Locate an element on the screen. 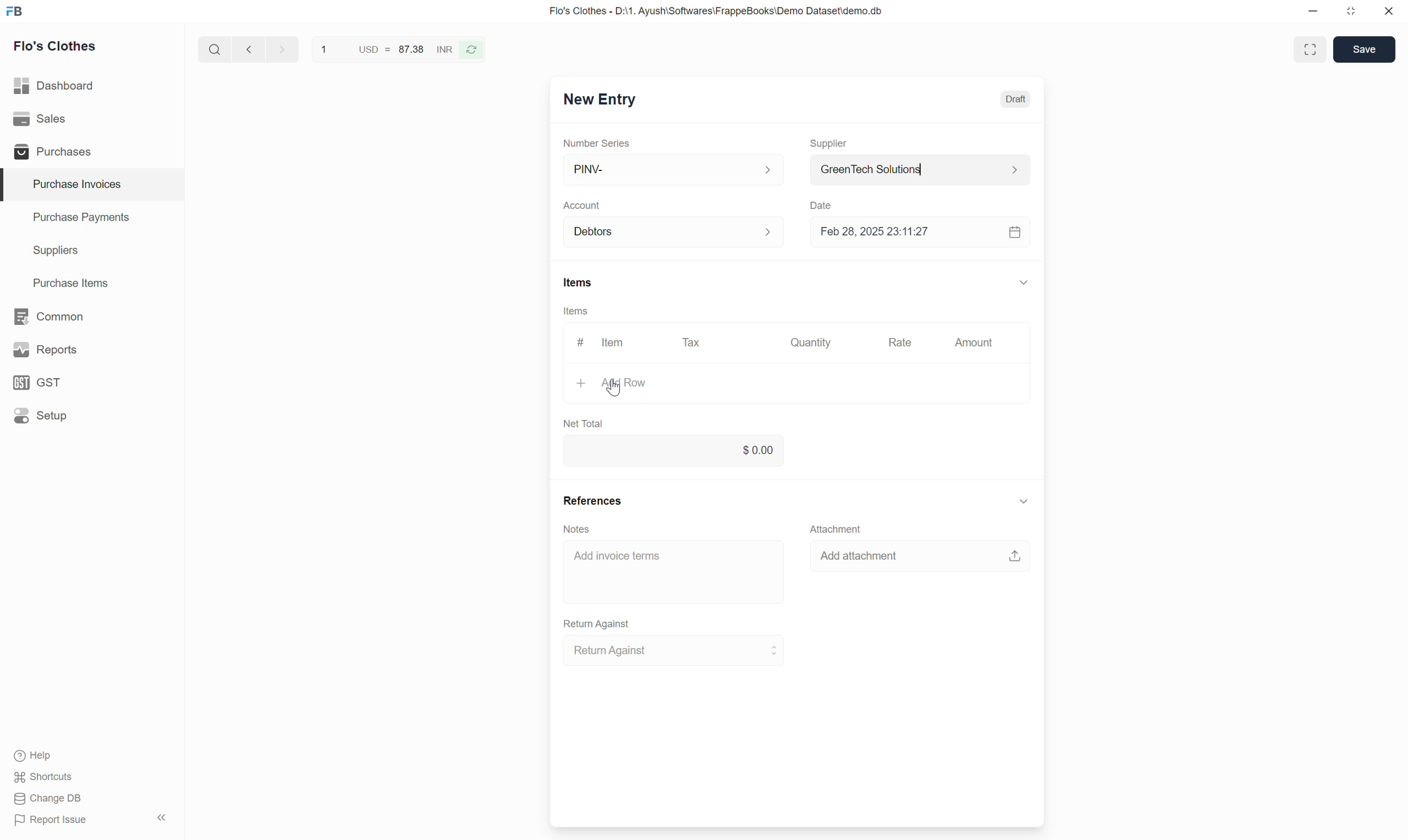 The height and width of the screenshot is (840, 1408). Report Issue is located at coordinates (51, 820).